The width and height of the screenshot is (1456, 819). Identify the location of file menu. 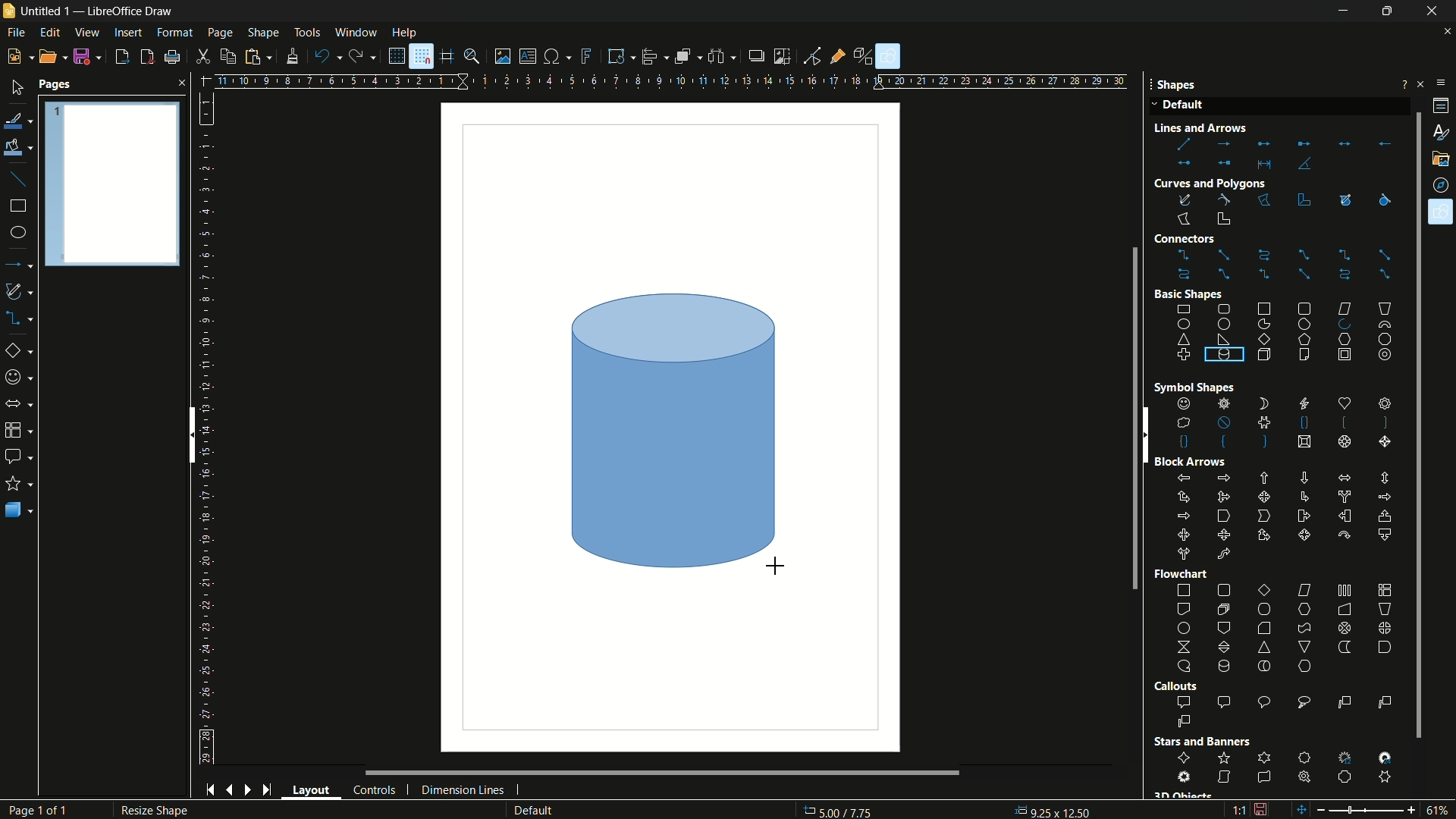
(14, 33).